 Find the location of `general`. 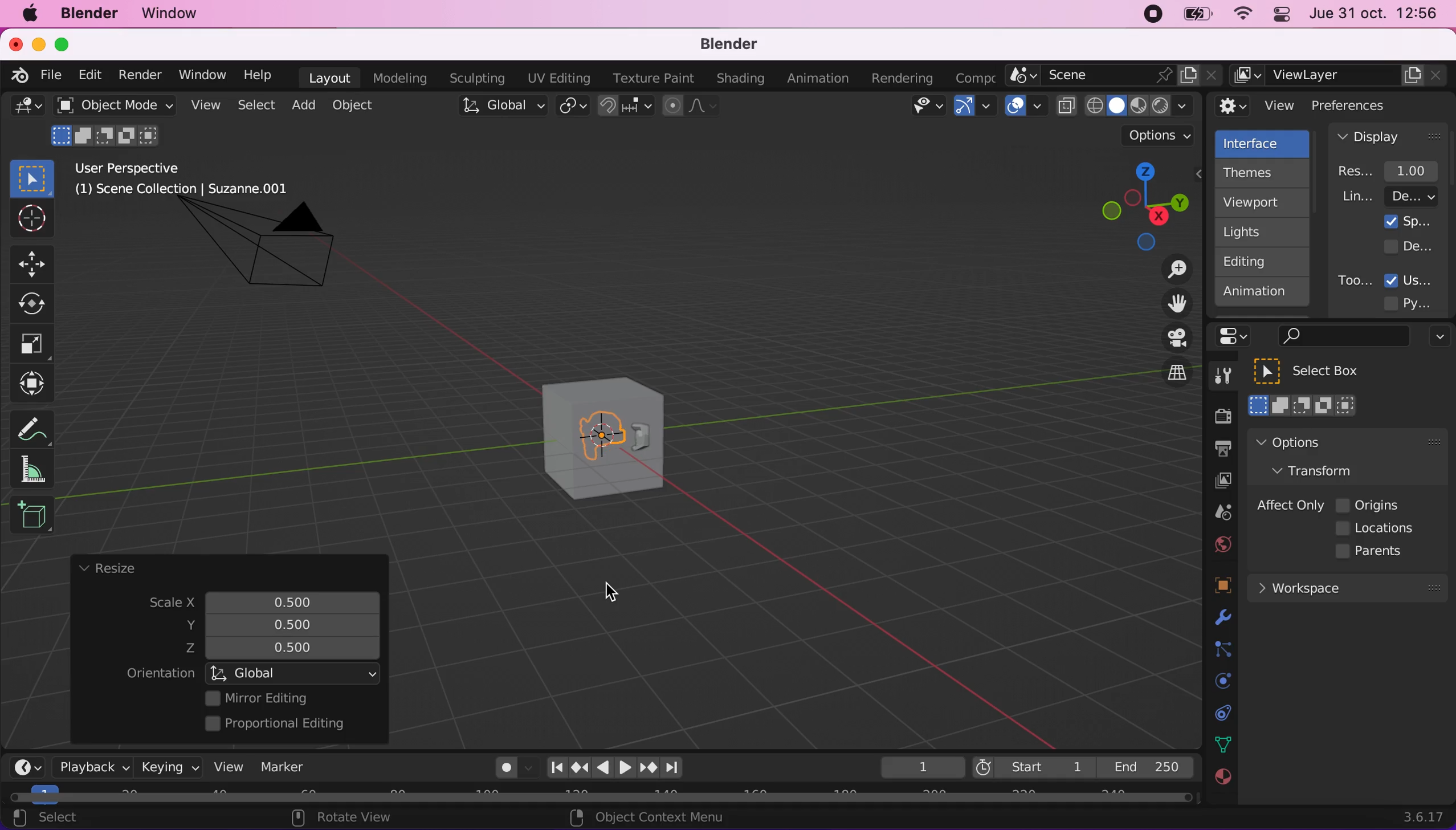

general is located at coordinates (27, 109).